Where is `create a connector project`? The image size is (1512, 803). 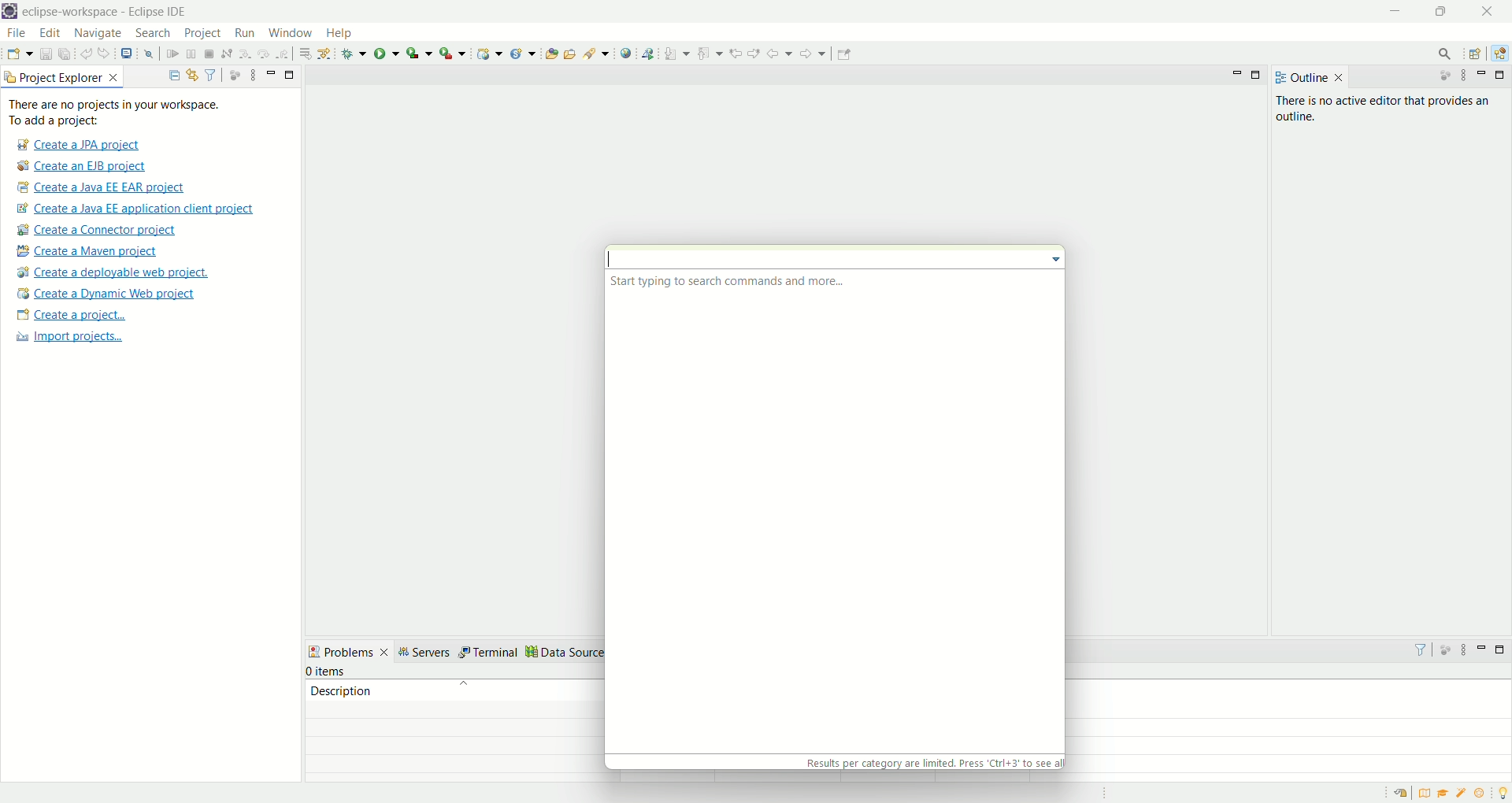
create a connector project is located at coordinates (97, 231).